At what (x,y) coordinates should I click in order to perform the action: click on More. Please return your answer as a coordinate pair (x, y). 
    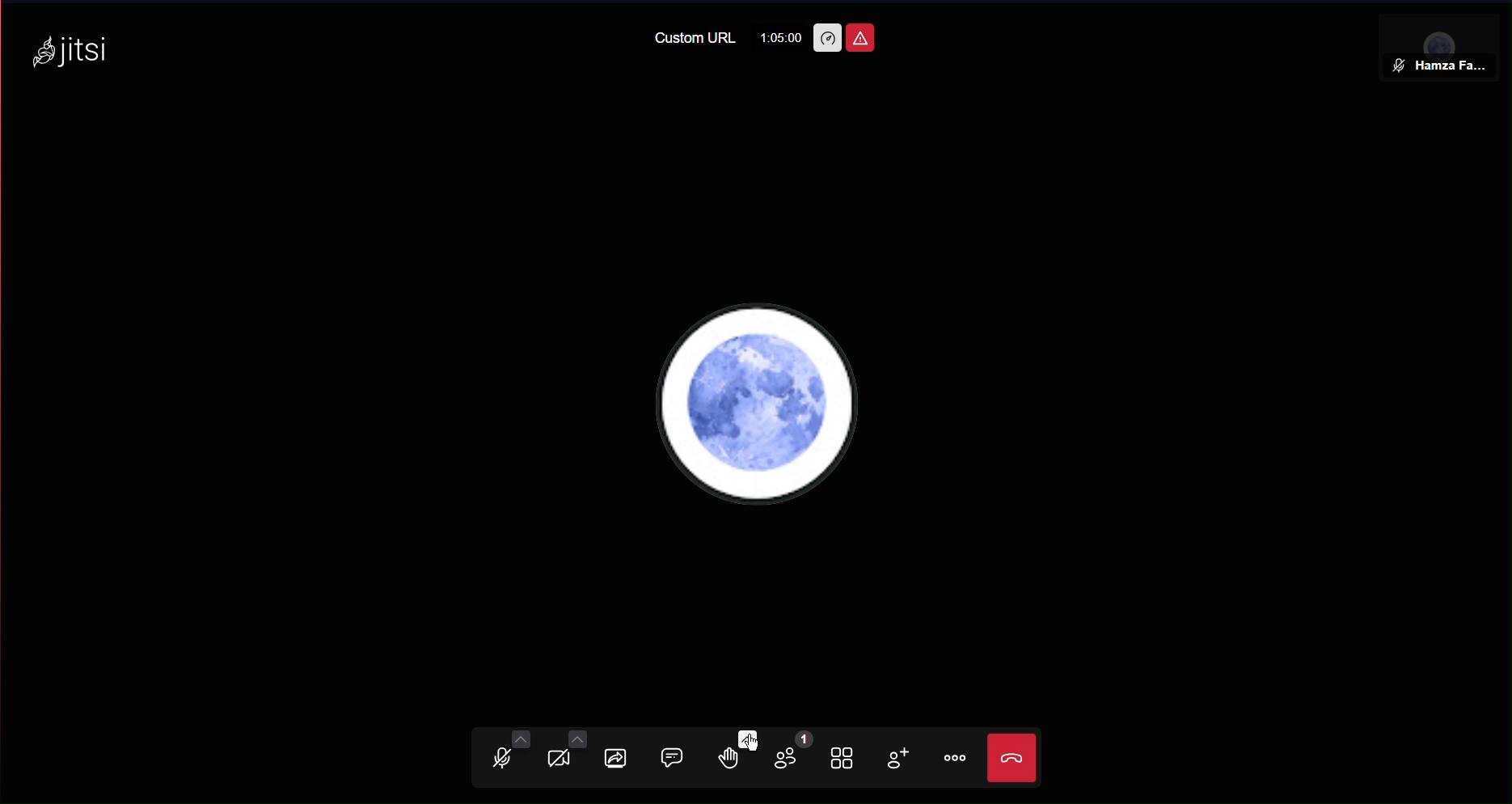
    Looking at the image, I should click on (953, 758).